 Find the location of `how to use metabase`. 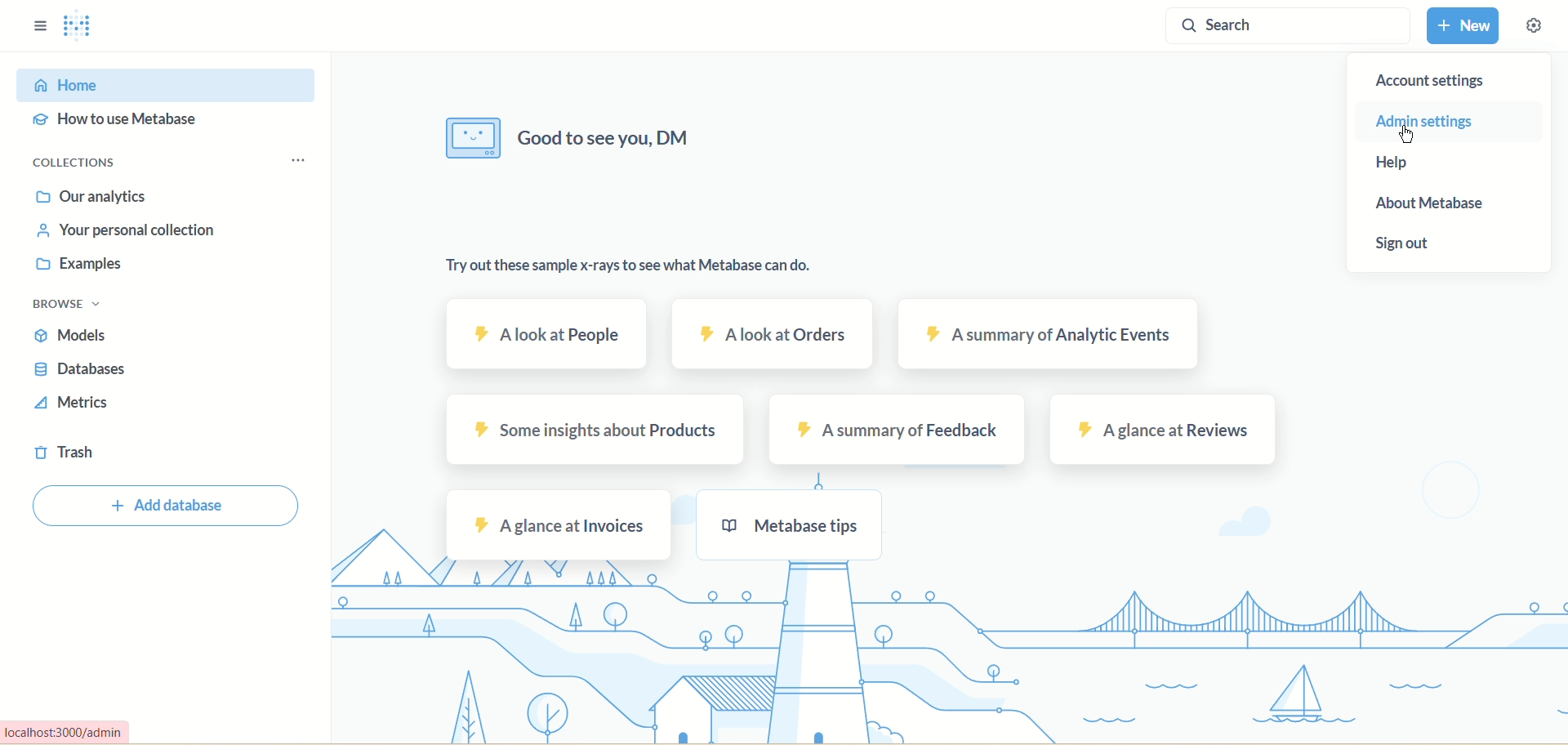

how to use metabase is located at coordinates (117, 120).